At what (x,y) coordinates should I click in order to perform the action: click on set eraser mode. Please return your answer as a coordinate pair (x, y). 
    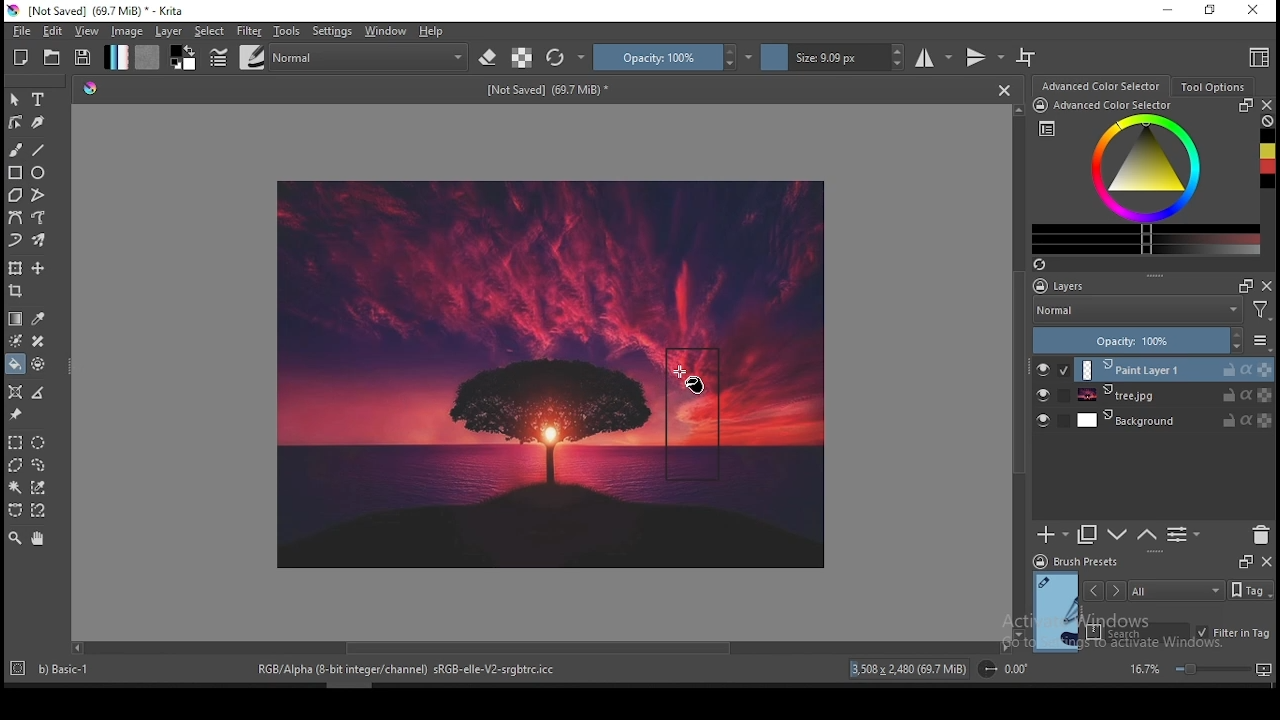
    Looking at the image, I should click on (490, 56).